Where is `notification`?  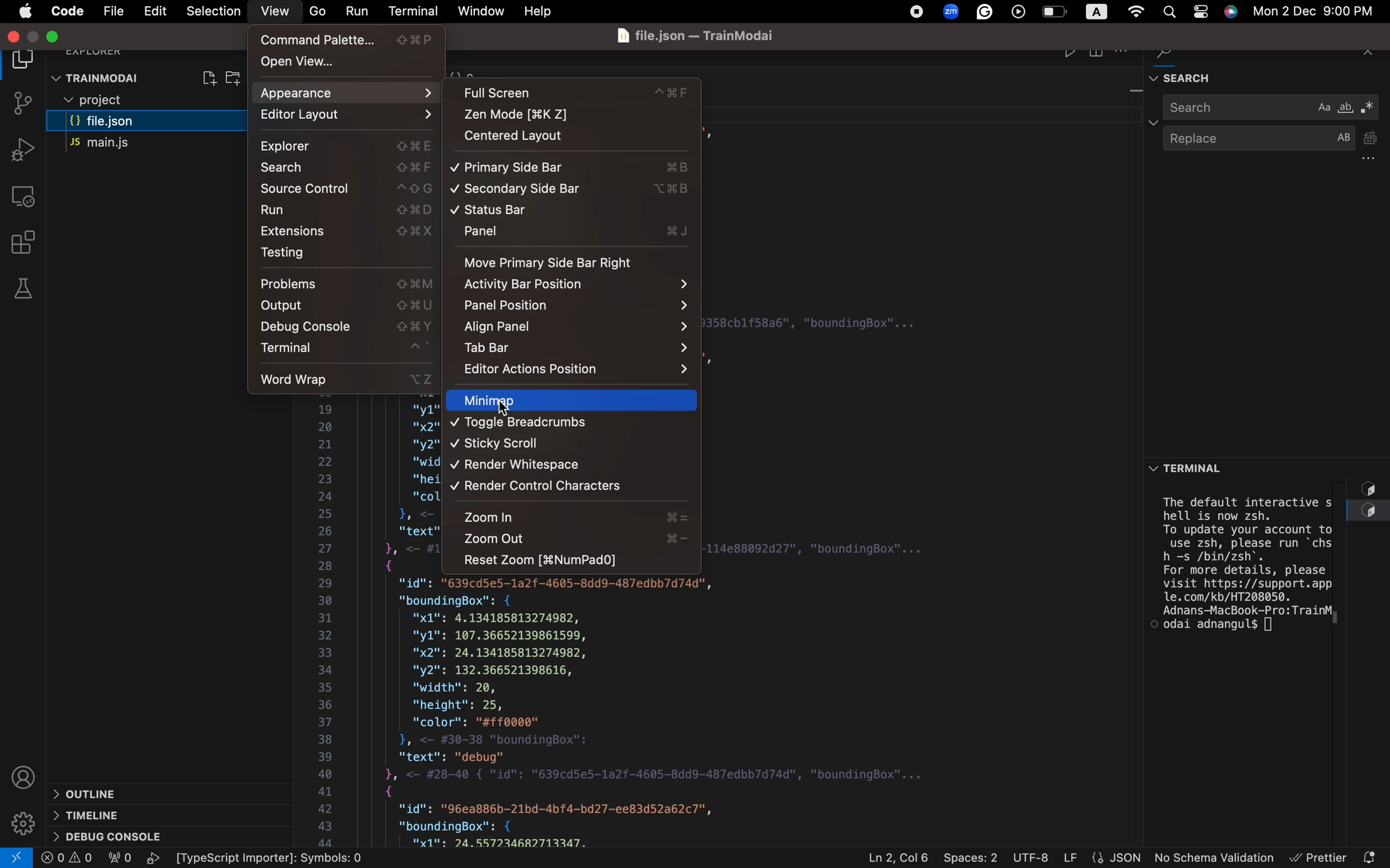
notification is located at coordinates (1371, 853).